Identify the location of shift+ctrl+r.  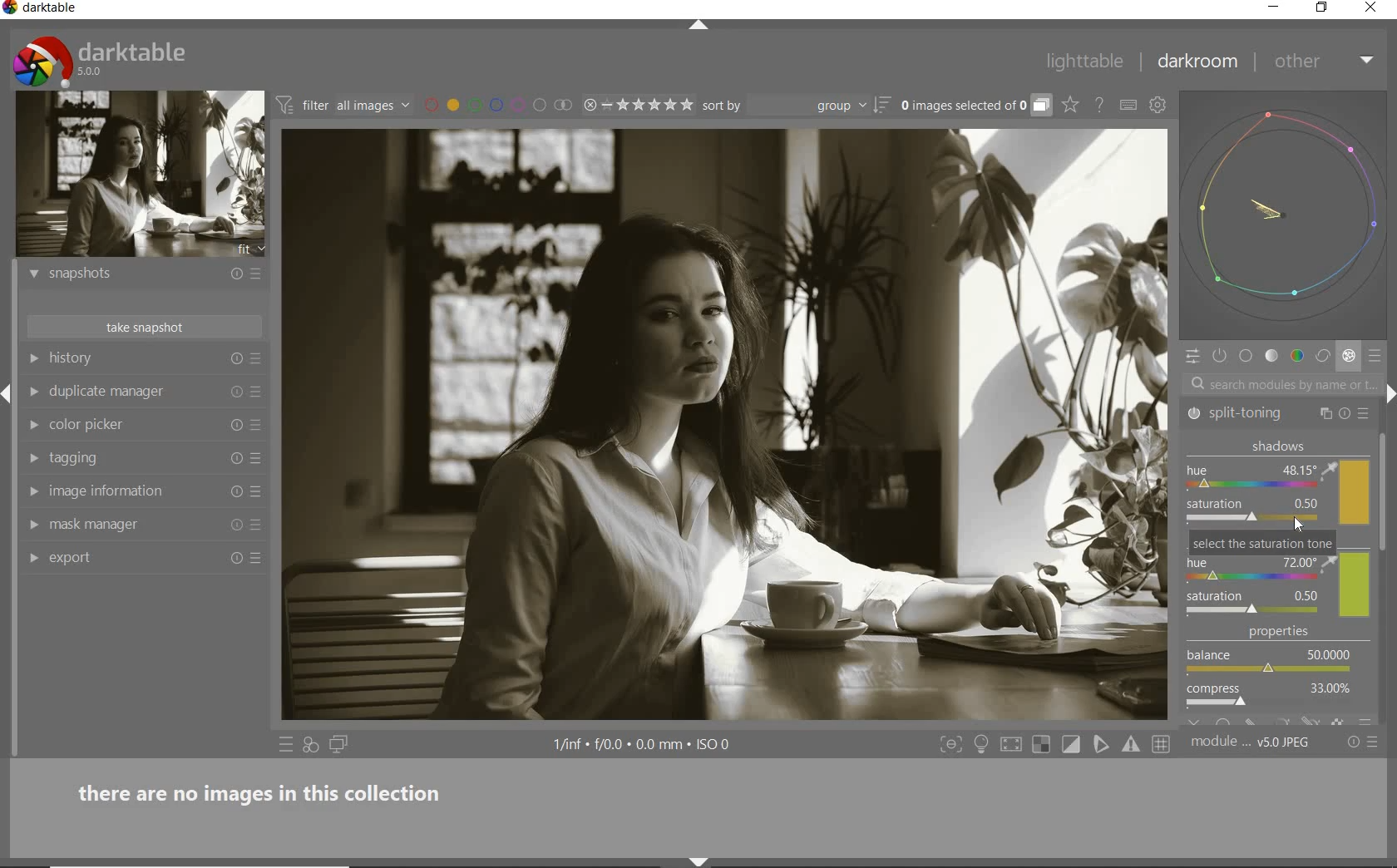
(1388, 392).